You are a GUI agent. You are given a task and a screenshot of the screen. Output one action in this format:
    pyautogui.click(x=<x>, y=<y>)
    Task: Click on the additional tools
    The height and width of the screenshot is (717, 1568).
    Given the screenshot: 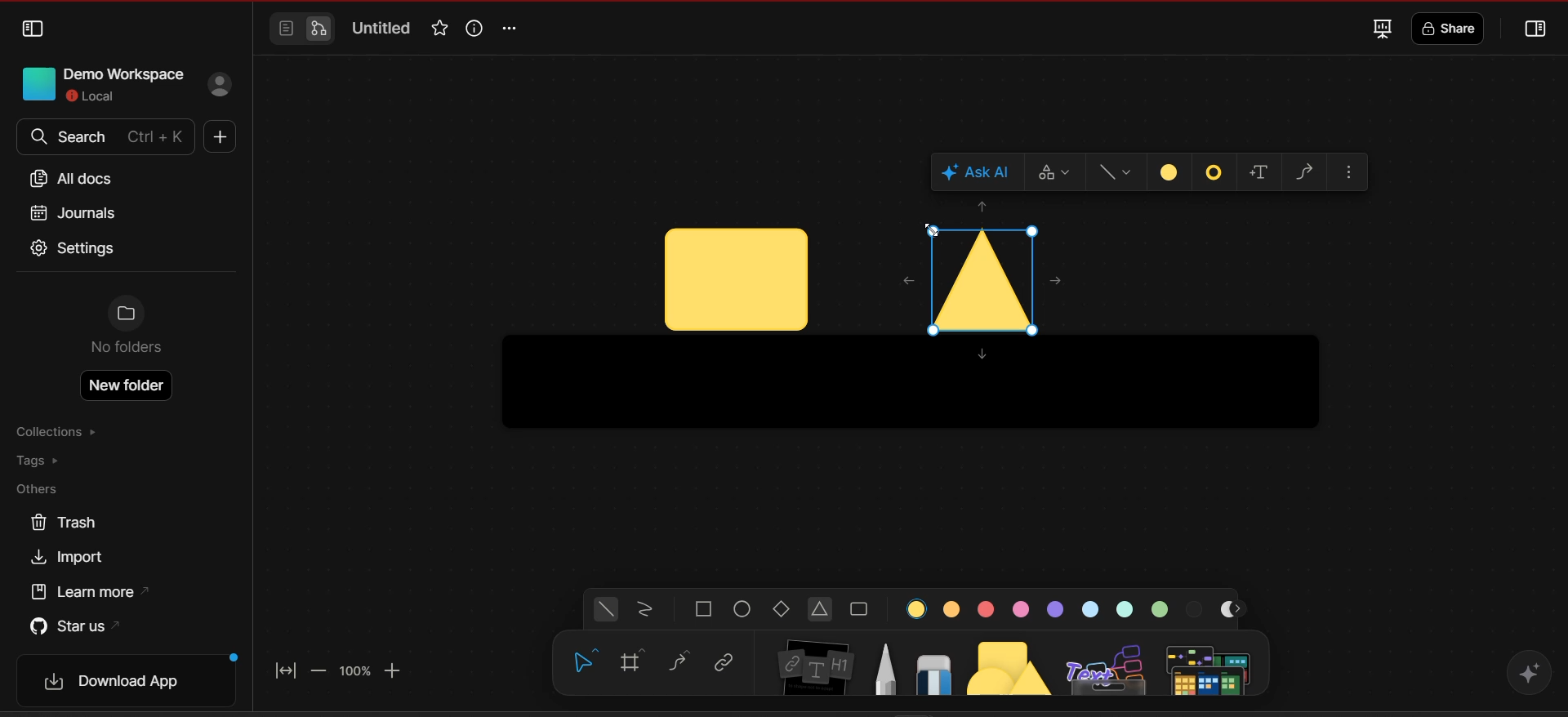 What is the action you would take?
    pyautogui.click(x=1211, y=668)
    